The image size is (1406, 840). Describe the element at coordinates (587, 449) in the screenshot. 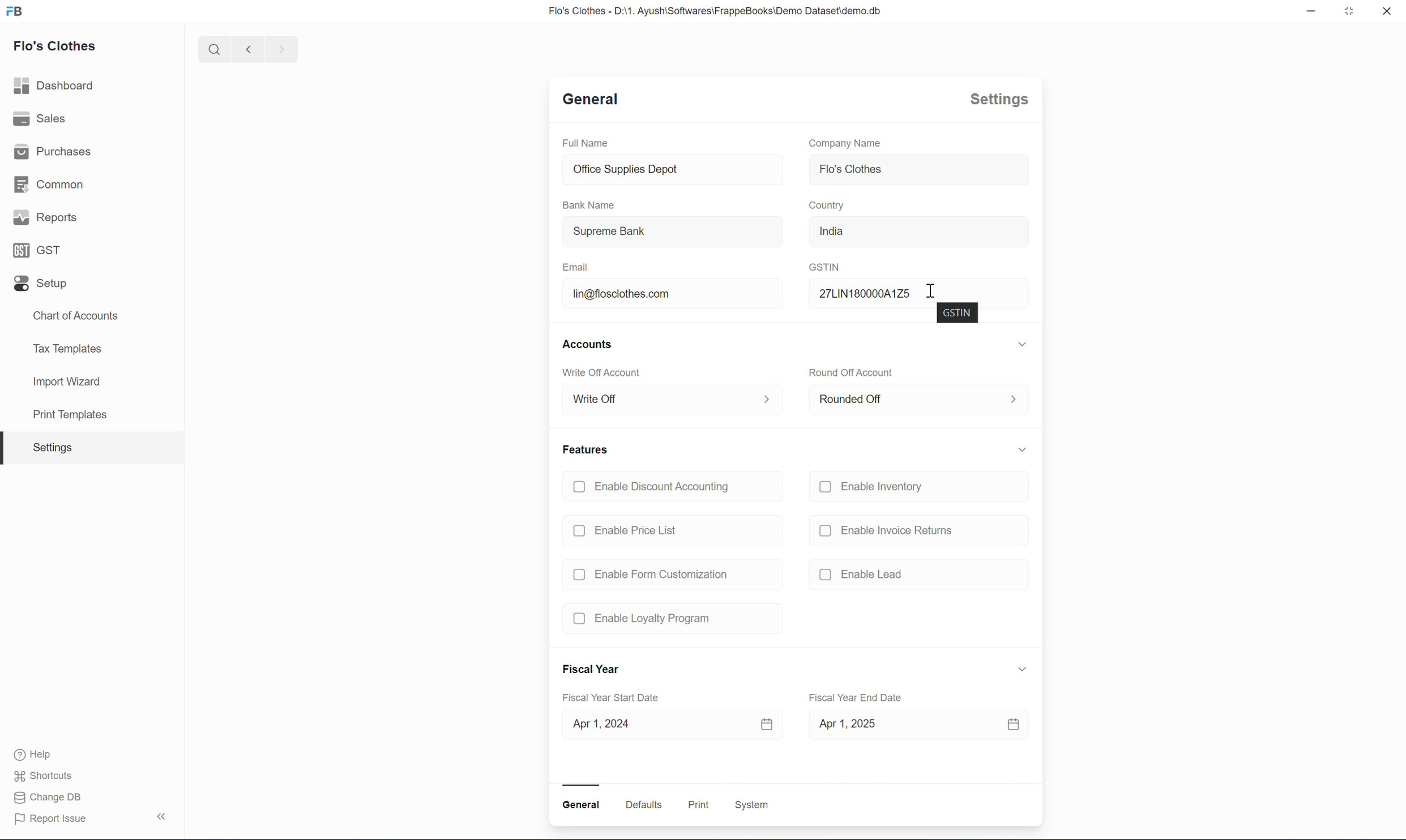

I see `Features` at that location.